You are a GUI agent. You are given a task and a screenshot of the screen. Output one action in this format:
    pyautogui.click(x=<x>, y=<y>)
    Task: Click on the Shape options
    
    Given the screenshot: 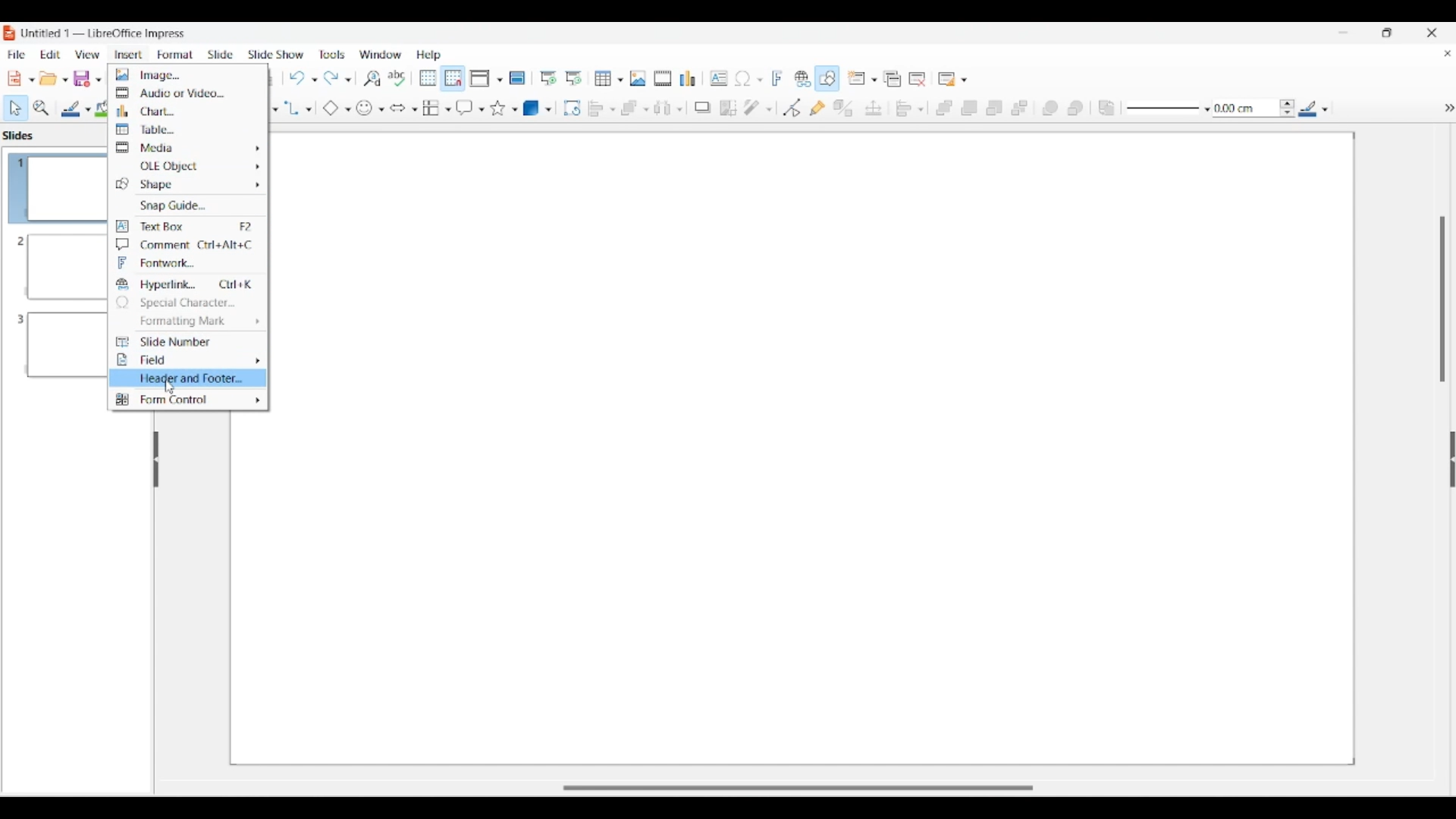 What is the action you would take?
    pyautogui.click(x=187, y=184)
    